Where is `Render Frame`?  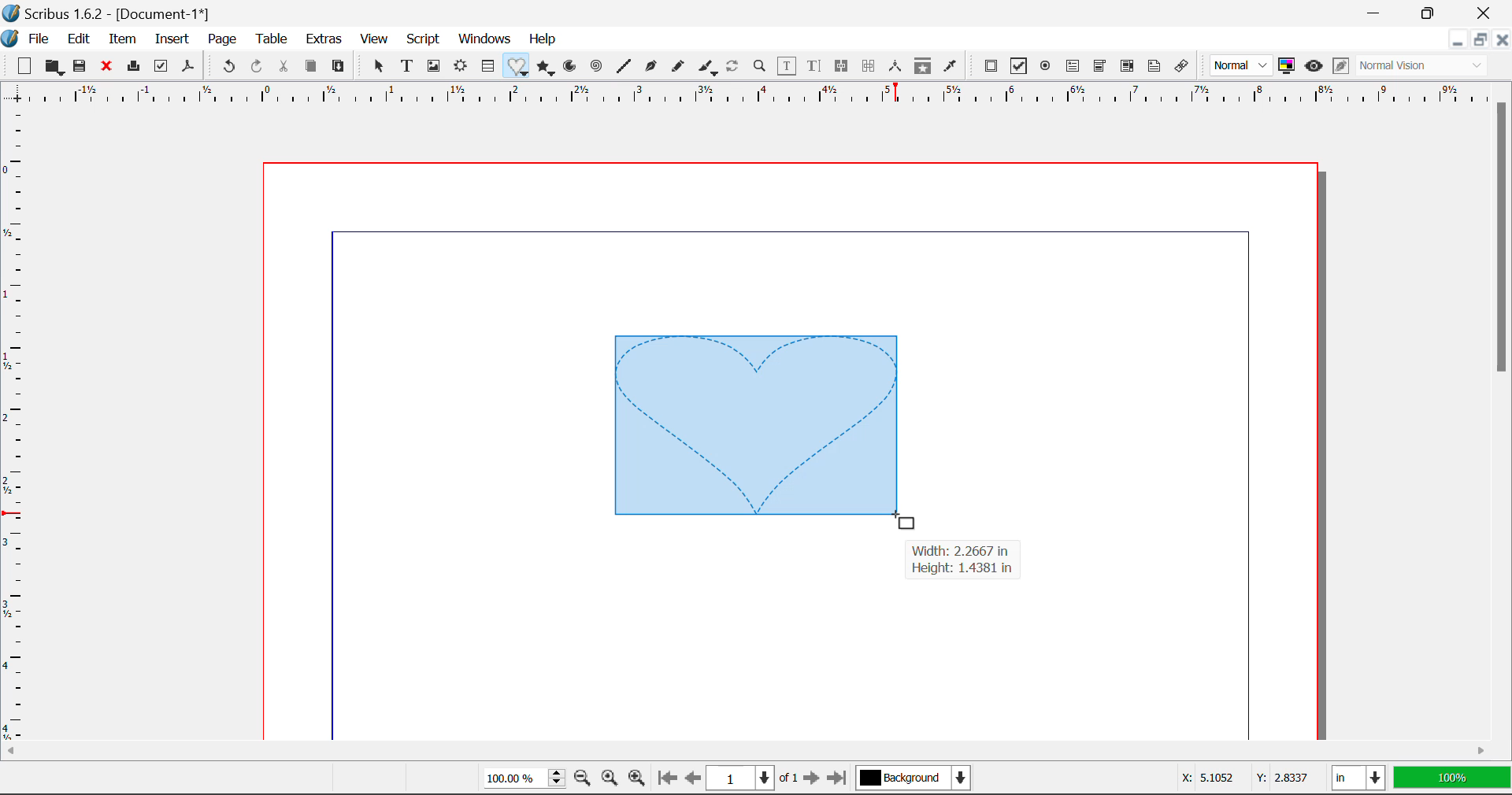
Render Frame is located at coordinates (461, 67).